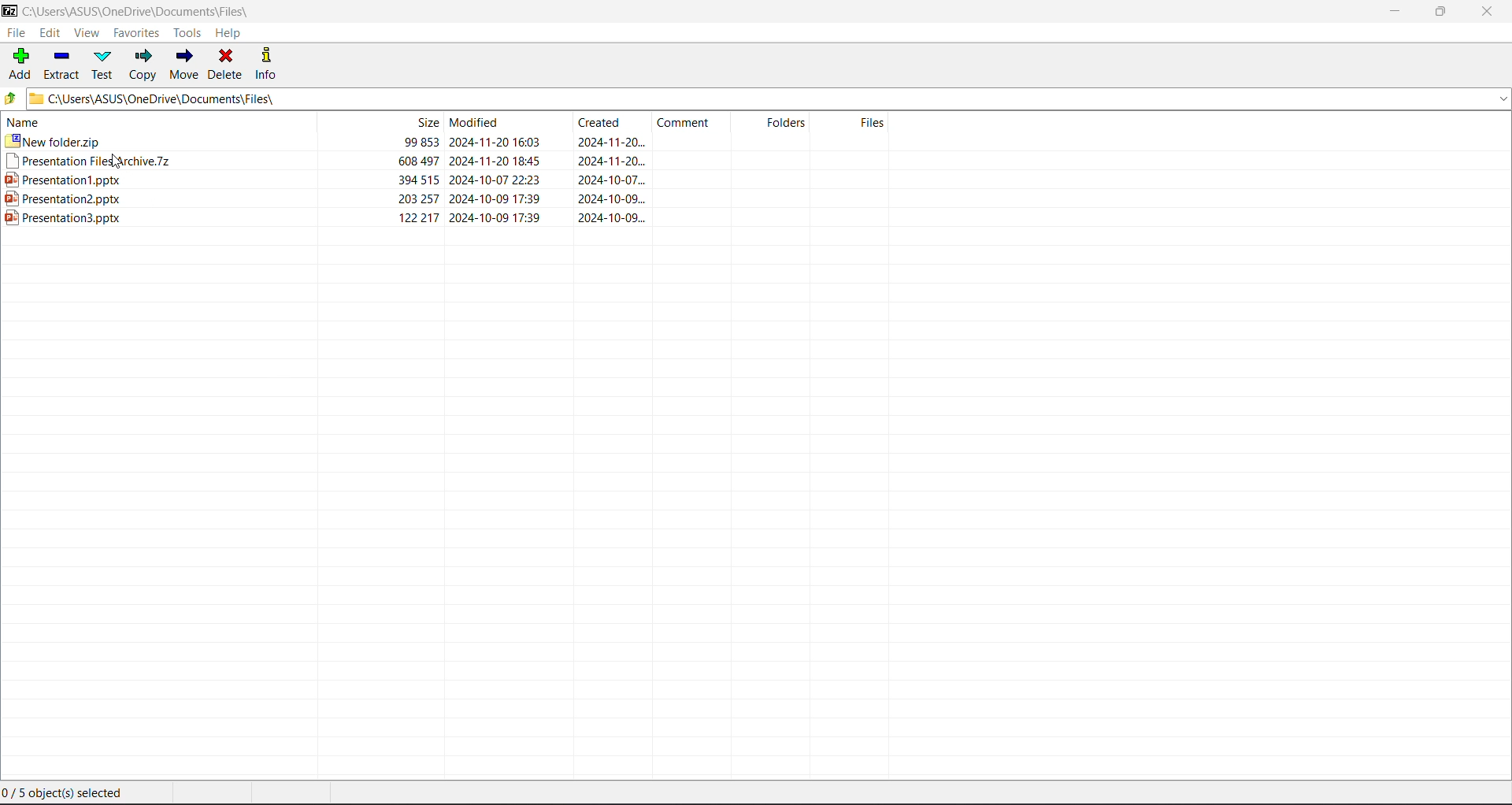 Image resolution: width=1512 pixels, height=805 pixels. I want to click on Folders, so click(770, 124).